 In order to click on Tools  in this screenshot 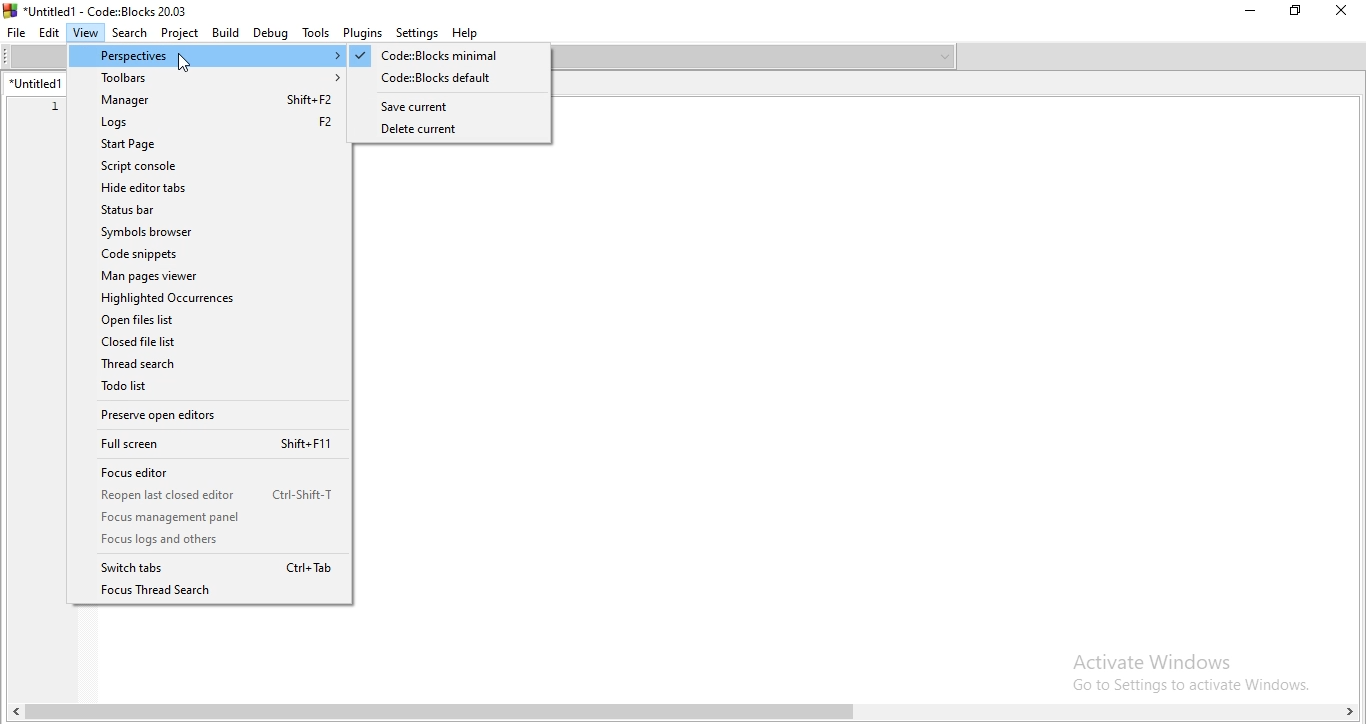, I will do `click(315, 32)`.